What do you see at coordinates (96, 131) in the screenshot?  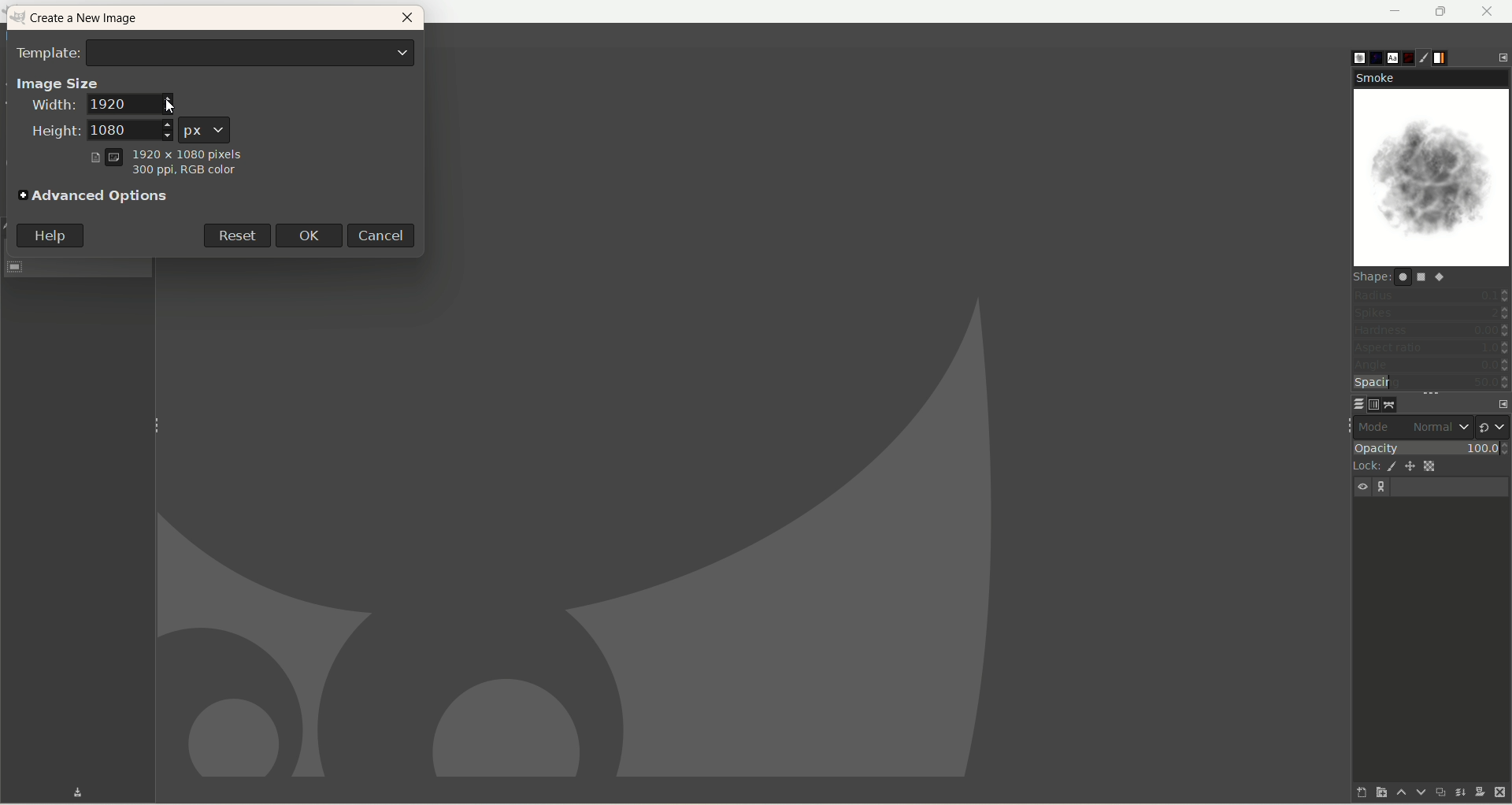 I see `height` at bounding box center [96, 131].